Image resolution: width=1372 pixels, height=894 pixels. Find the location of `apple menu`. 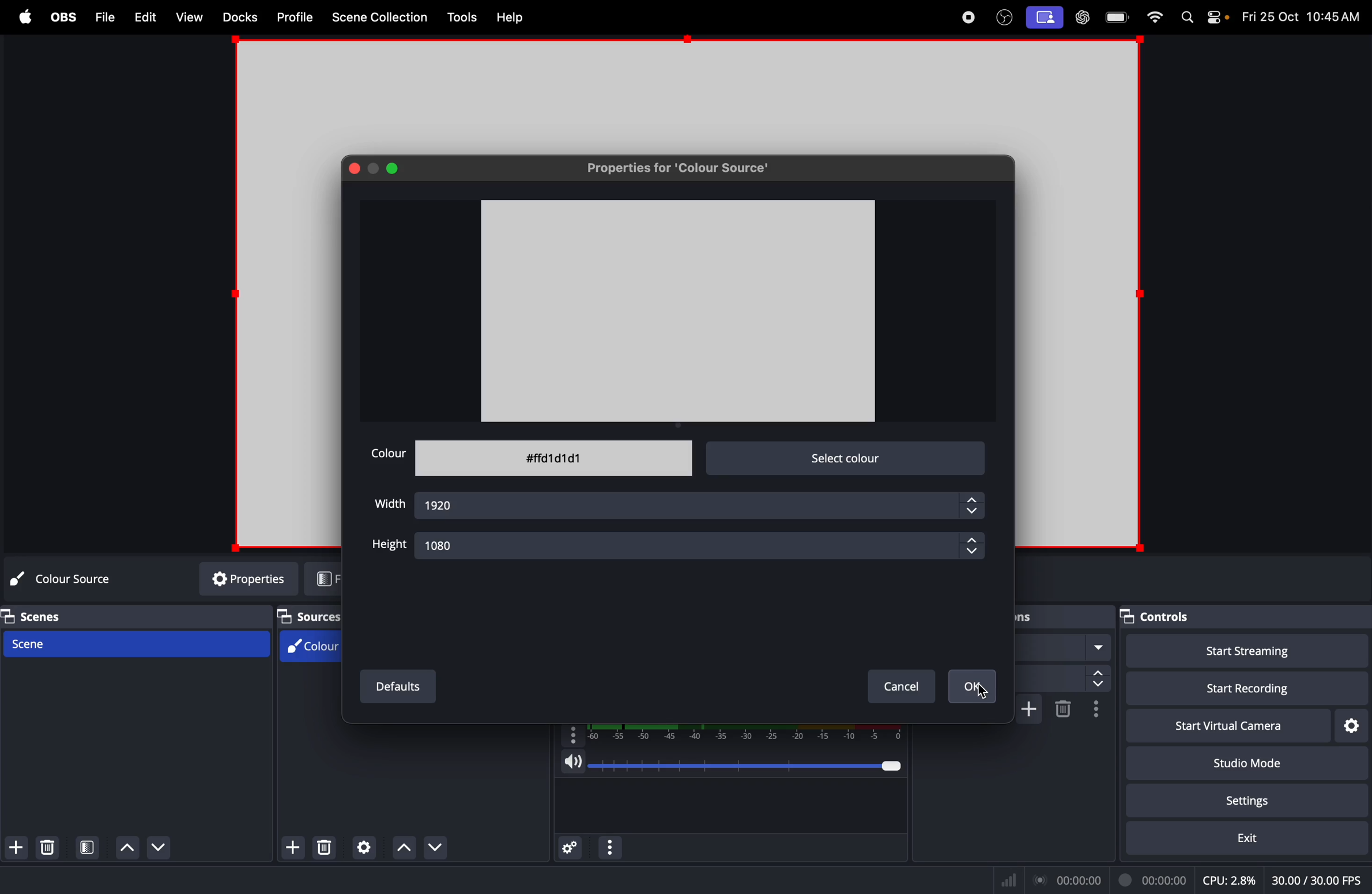

apple menu is located at coordinates (25, 17).